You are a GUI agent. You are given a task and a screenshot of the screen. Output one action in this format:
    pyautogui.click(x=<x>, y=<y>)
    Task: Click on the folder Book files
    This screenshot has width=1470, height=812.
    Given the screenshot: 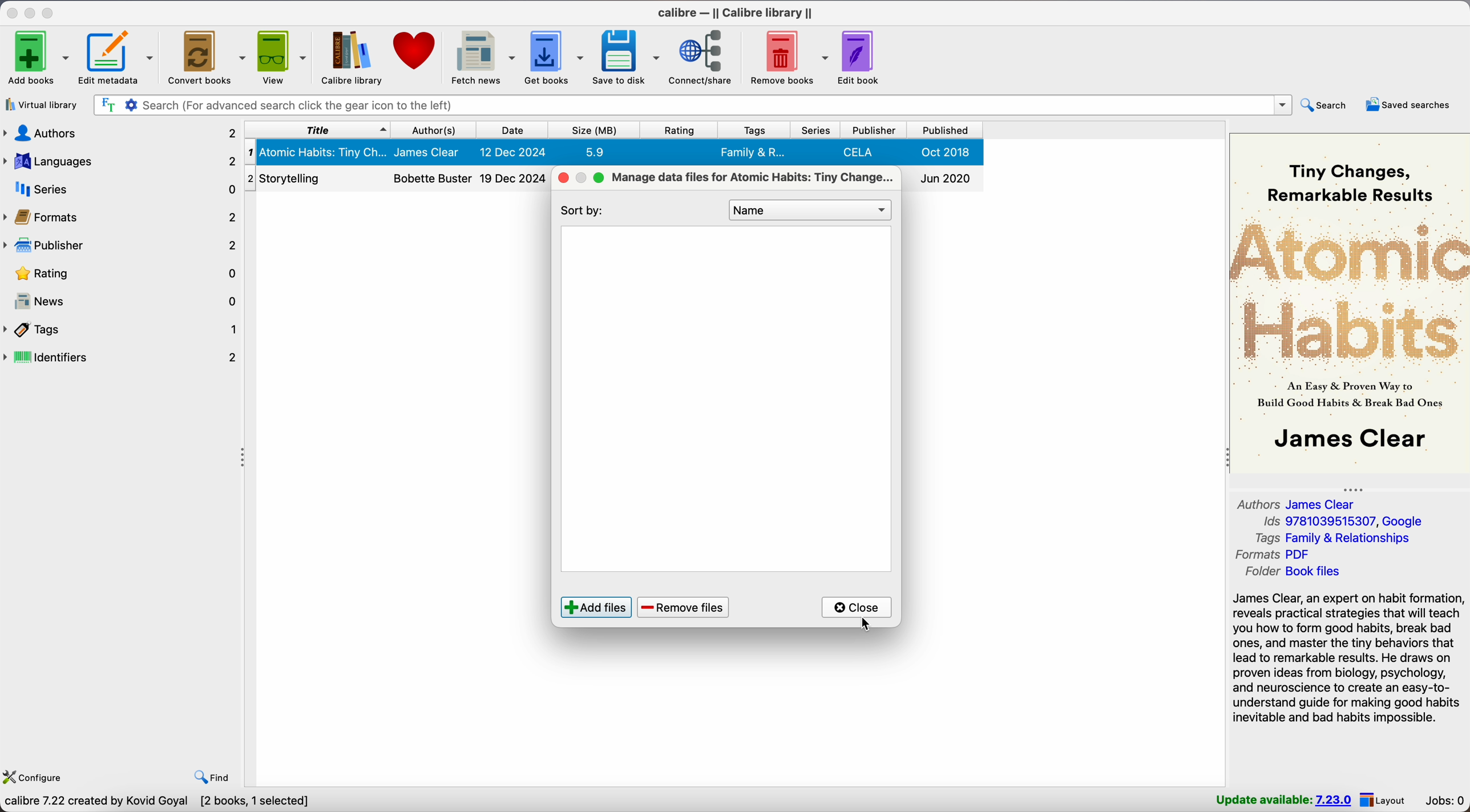 What is the action you would take?
    pyautogui.click(x=1295, y=572)
    